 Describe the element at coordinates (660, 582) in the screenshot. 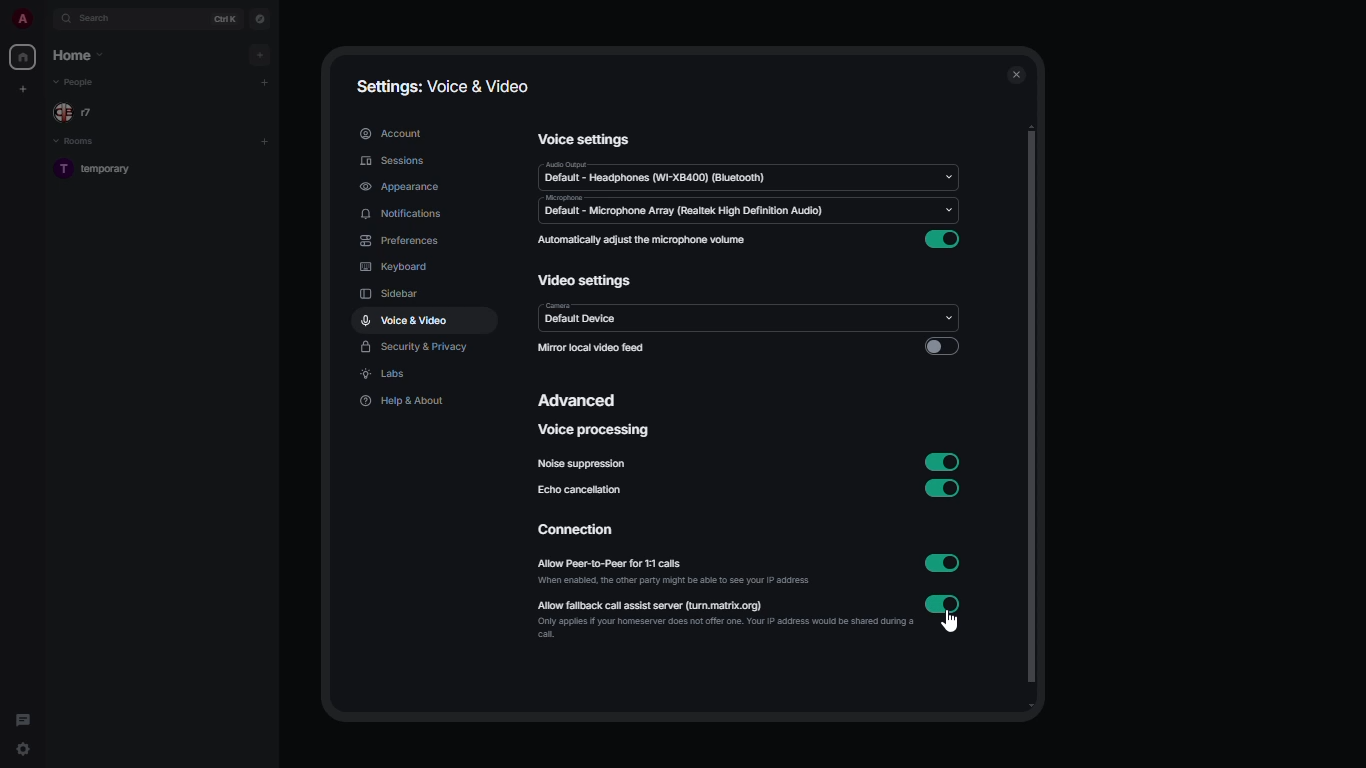

I see `‘When enabled, the other party might be able to see your IP address` at that location.